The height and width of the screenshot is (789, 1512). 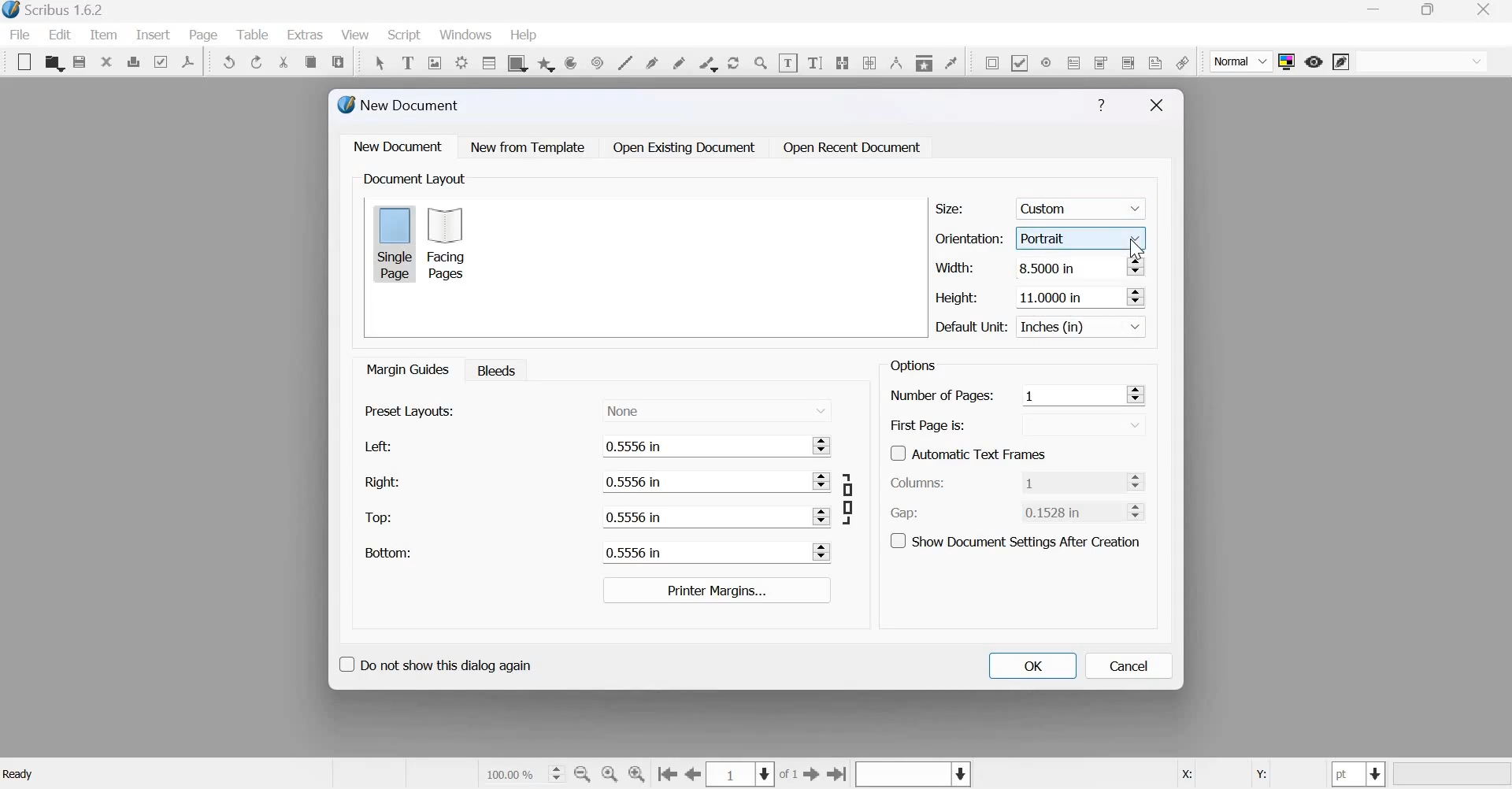 What do you see at coordinates (1084, 327) in the screenshot?
I see `Inches (in)` at bounding box center [1084, 327].